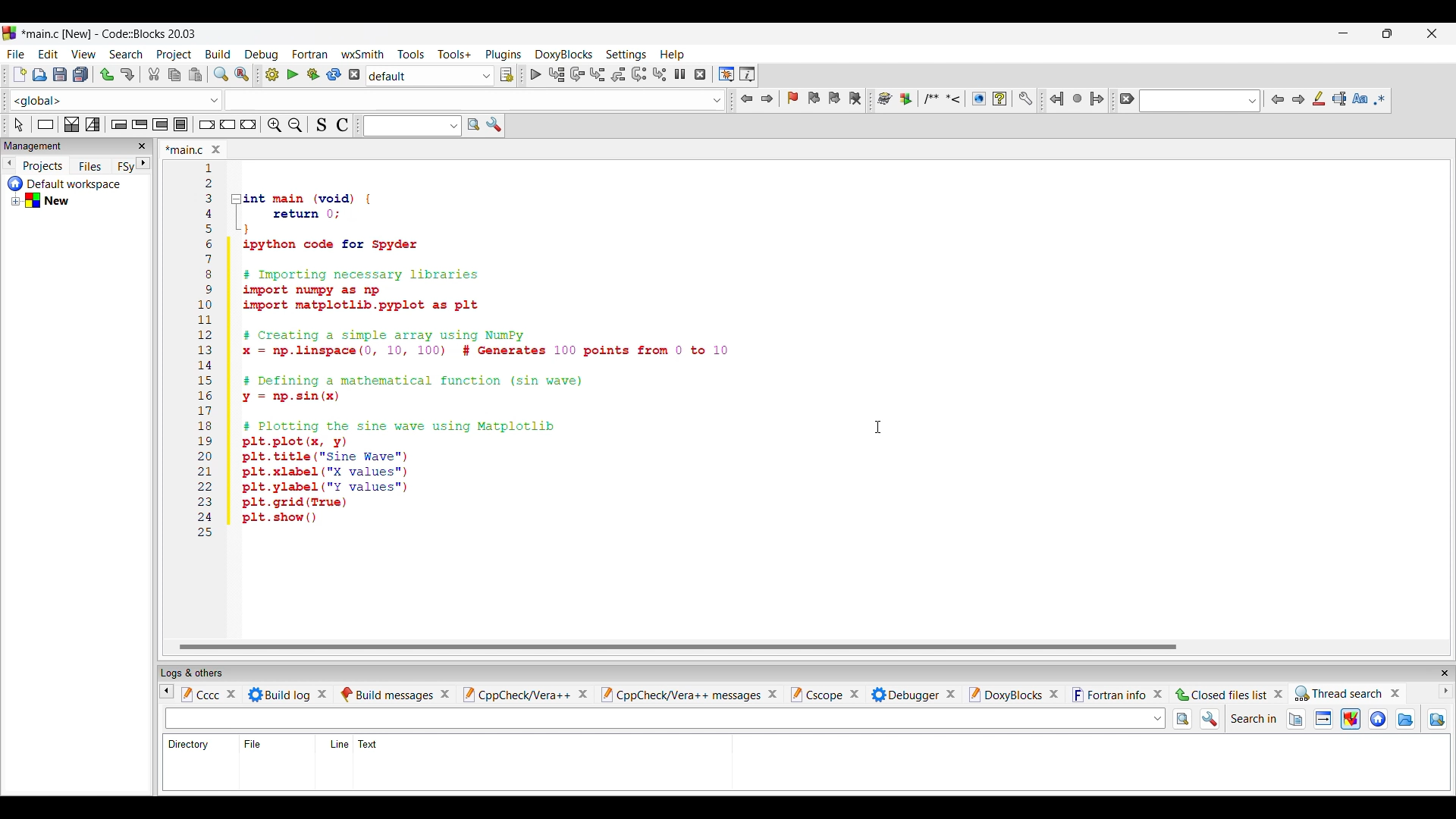  I want to click on Block instruction, so click(182, 124).